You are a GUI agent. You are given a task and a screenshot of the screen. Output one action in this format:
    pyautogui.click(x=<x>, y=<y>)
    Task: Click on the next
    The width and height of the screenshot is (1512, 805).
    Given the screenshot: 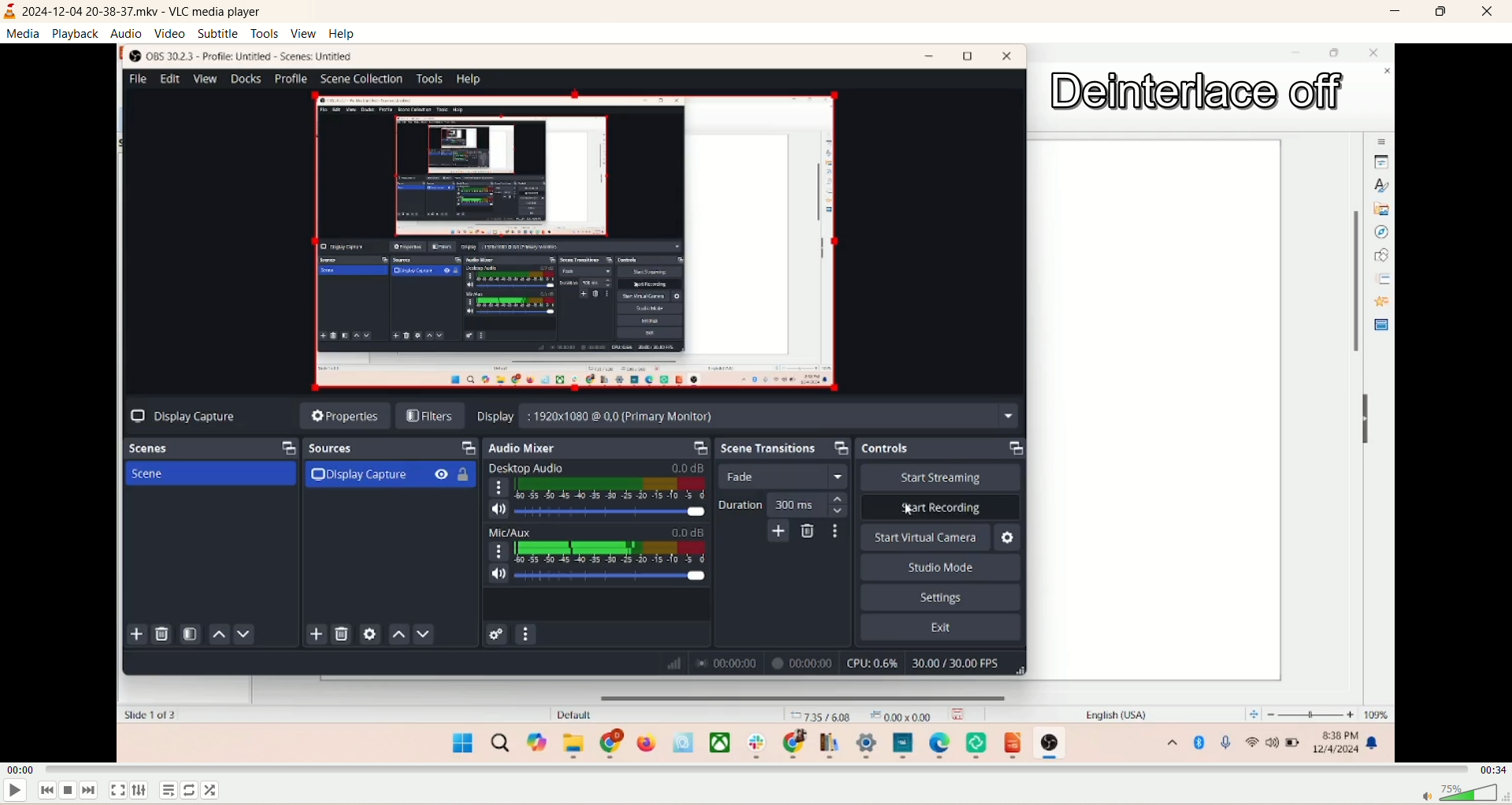 What is the action you would take?
    pyautogui.click(x=97, y=791)
    